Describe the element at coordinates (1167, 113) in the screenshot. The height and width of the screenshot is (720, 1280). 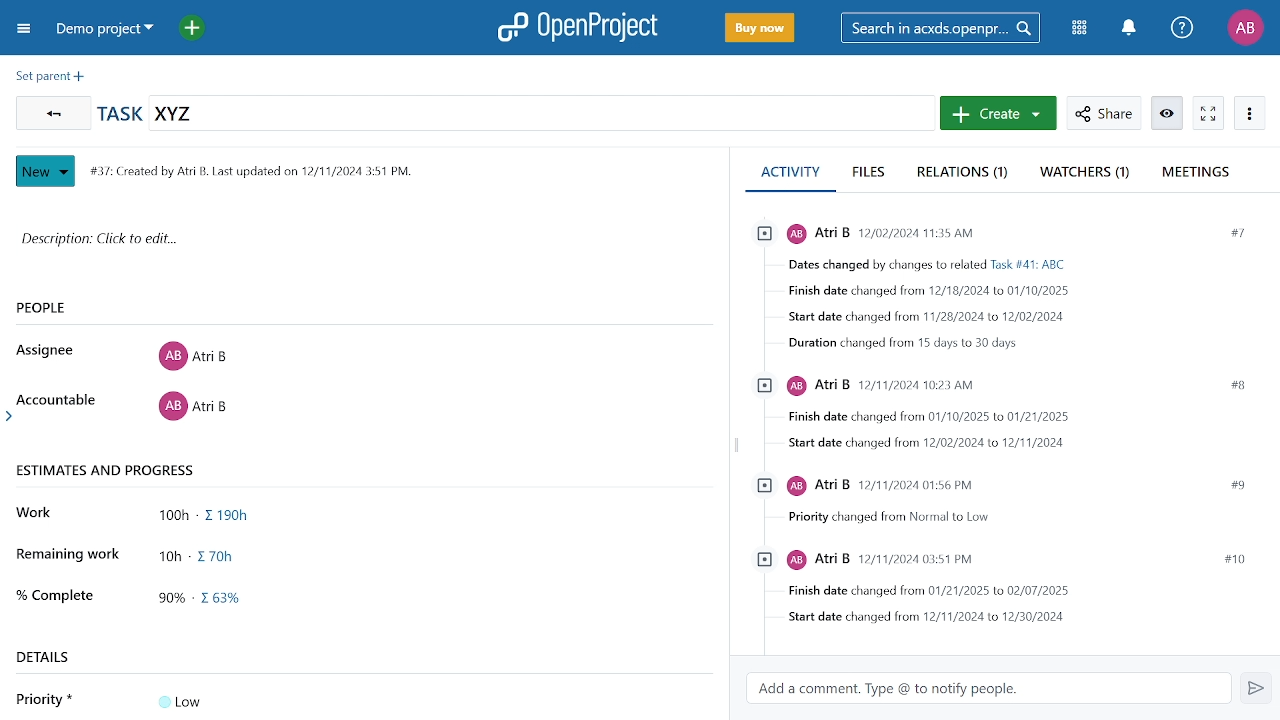
I see `Unwatch workpackage` at that location.